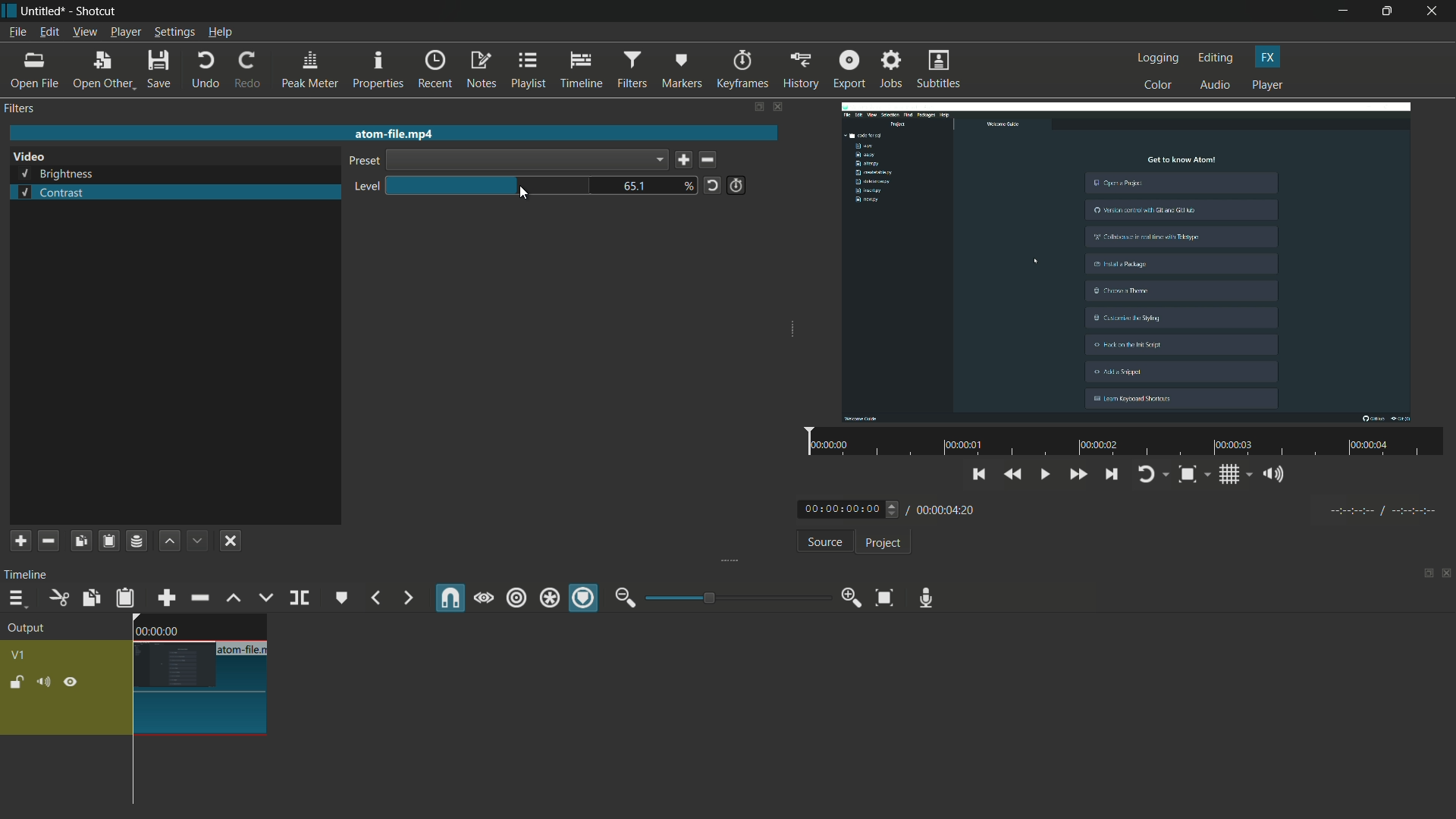  I want to click on atom-file.mp4, so click(393, 133).